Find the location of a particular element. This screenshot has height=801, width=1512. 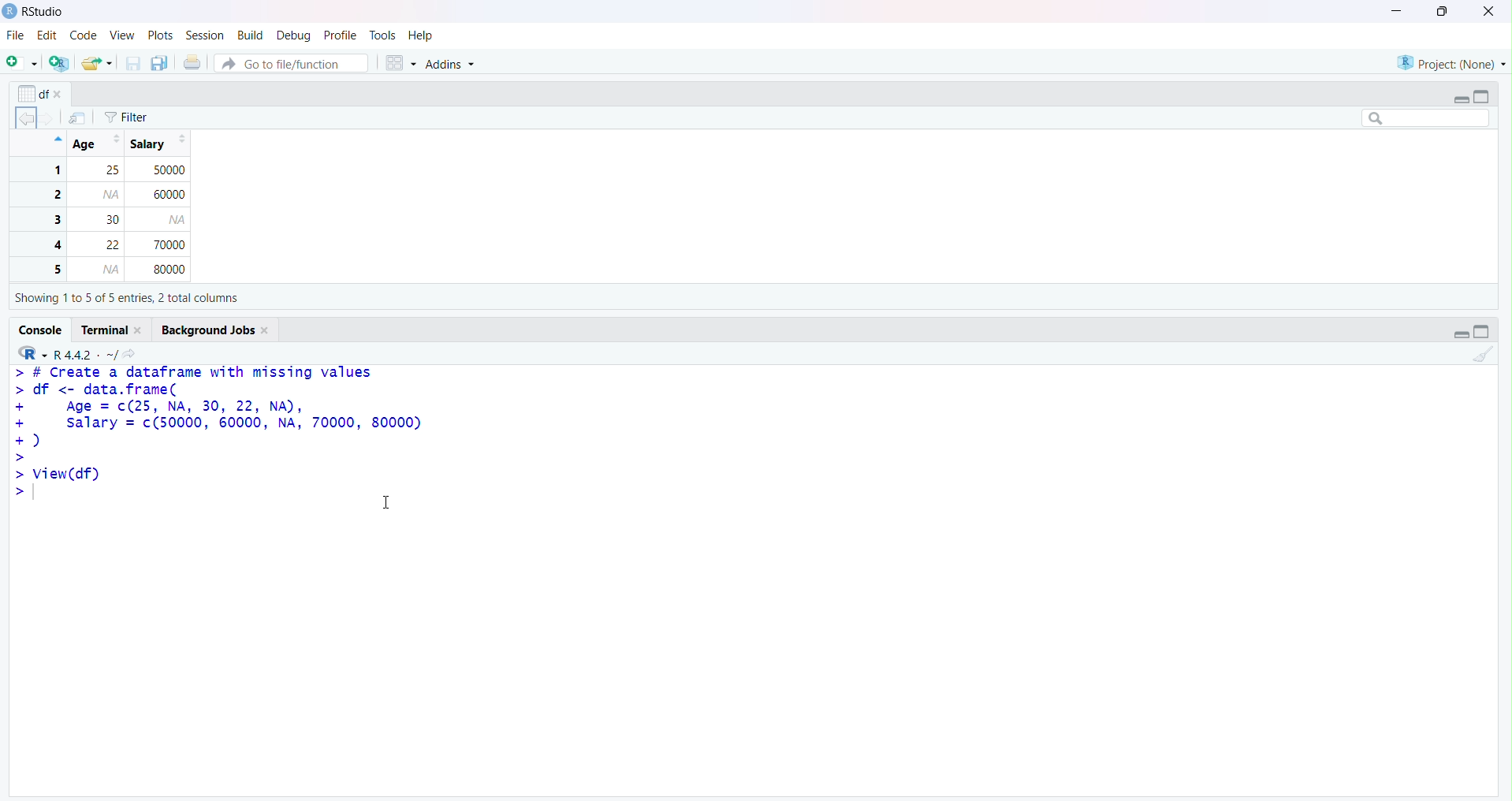

> # Create a dataframe with missing values
> df <- data.frame(
+ Age = c(25, NA, 30, 22, NA),
+ salary = (50000, 60000, NA, 70000, 80000)
+)
>
> View(df)
>
T is located at coordinates (237, 434).